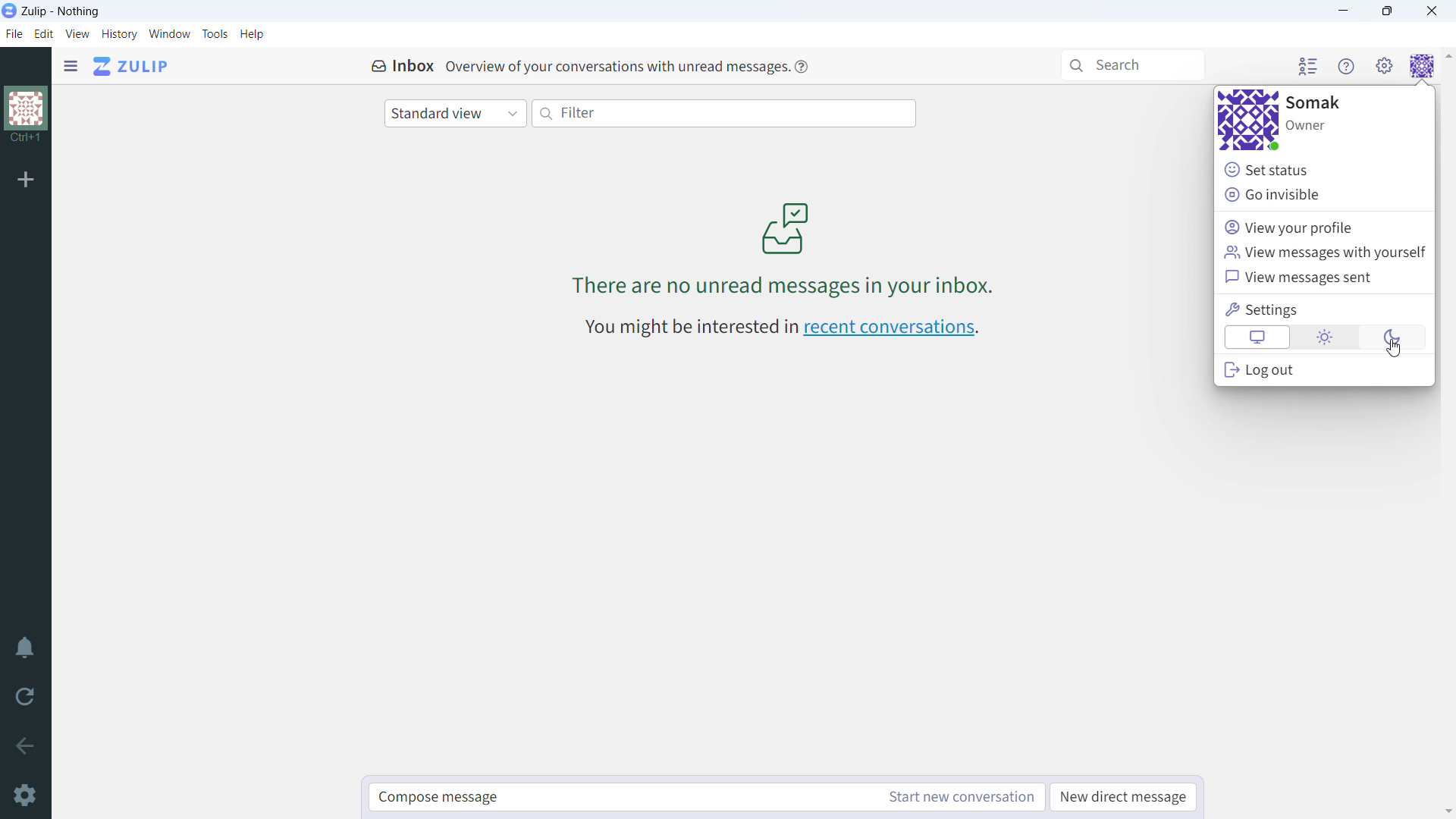 This screenshot has width=1456, height=819. I want to click on scroll up, so click(1447, 55).